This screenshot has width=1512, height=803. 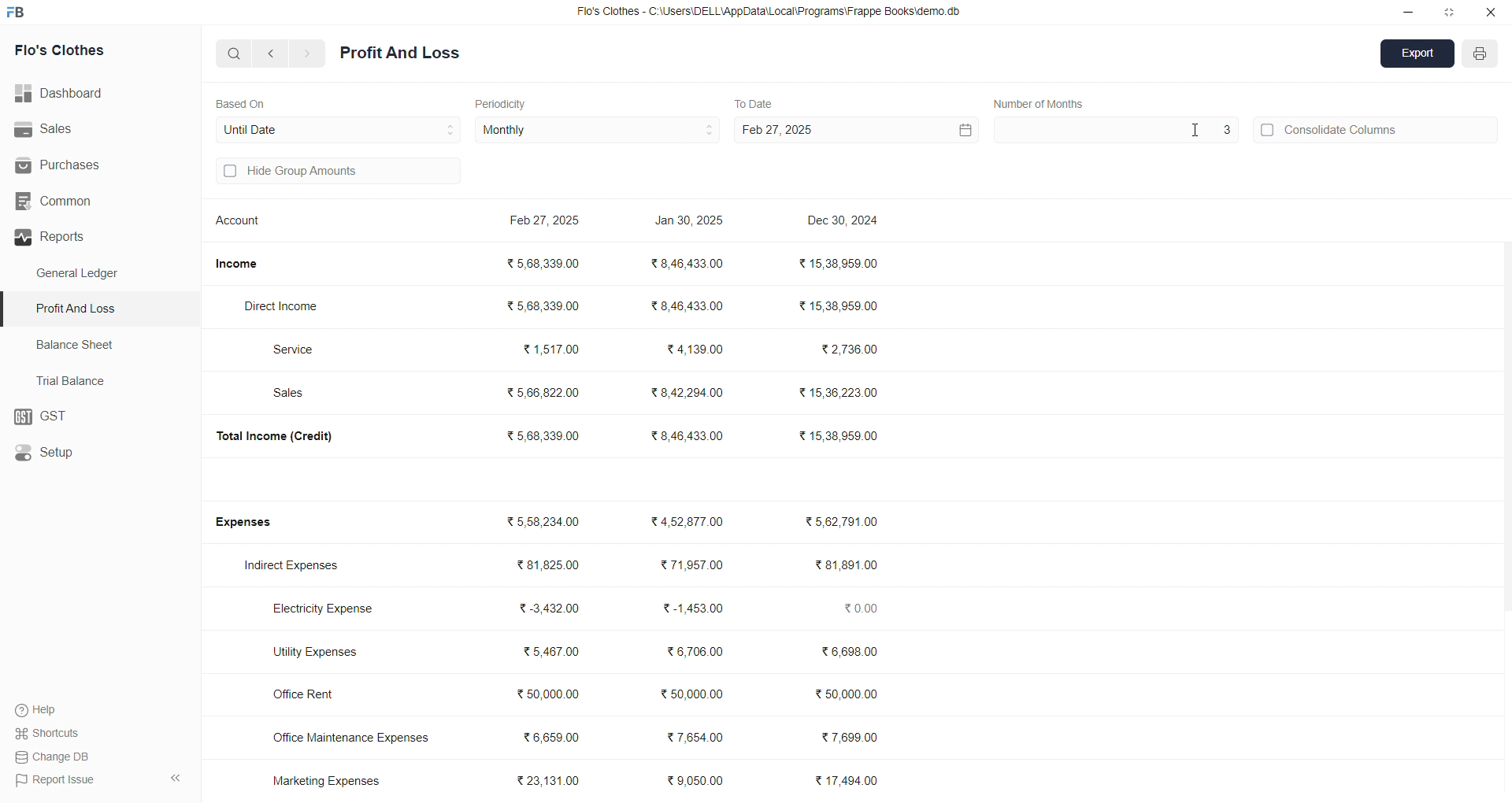 I want to click on ₹5,68,339.00, so click(x=546, y=435).